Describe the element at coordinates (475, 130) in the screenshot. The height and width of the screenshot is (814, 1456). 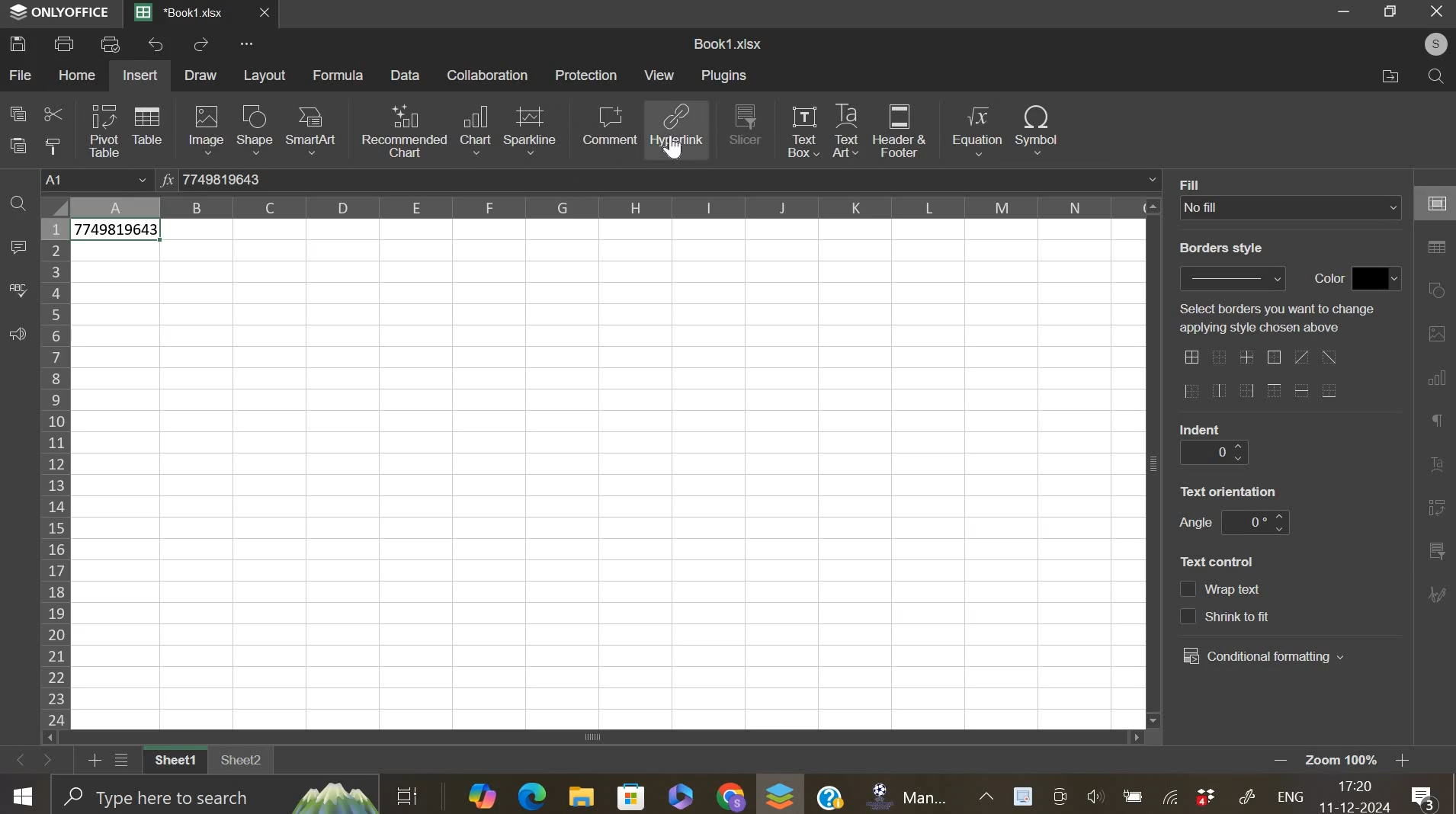
I see `chart` at that location.